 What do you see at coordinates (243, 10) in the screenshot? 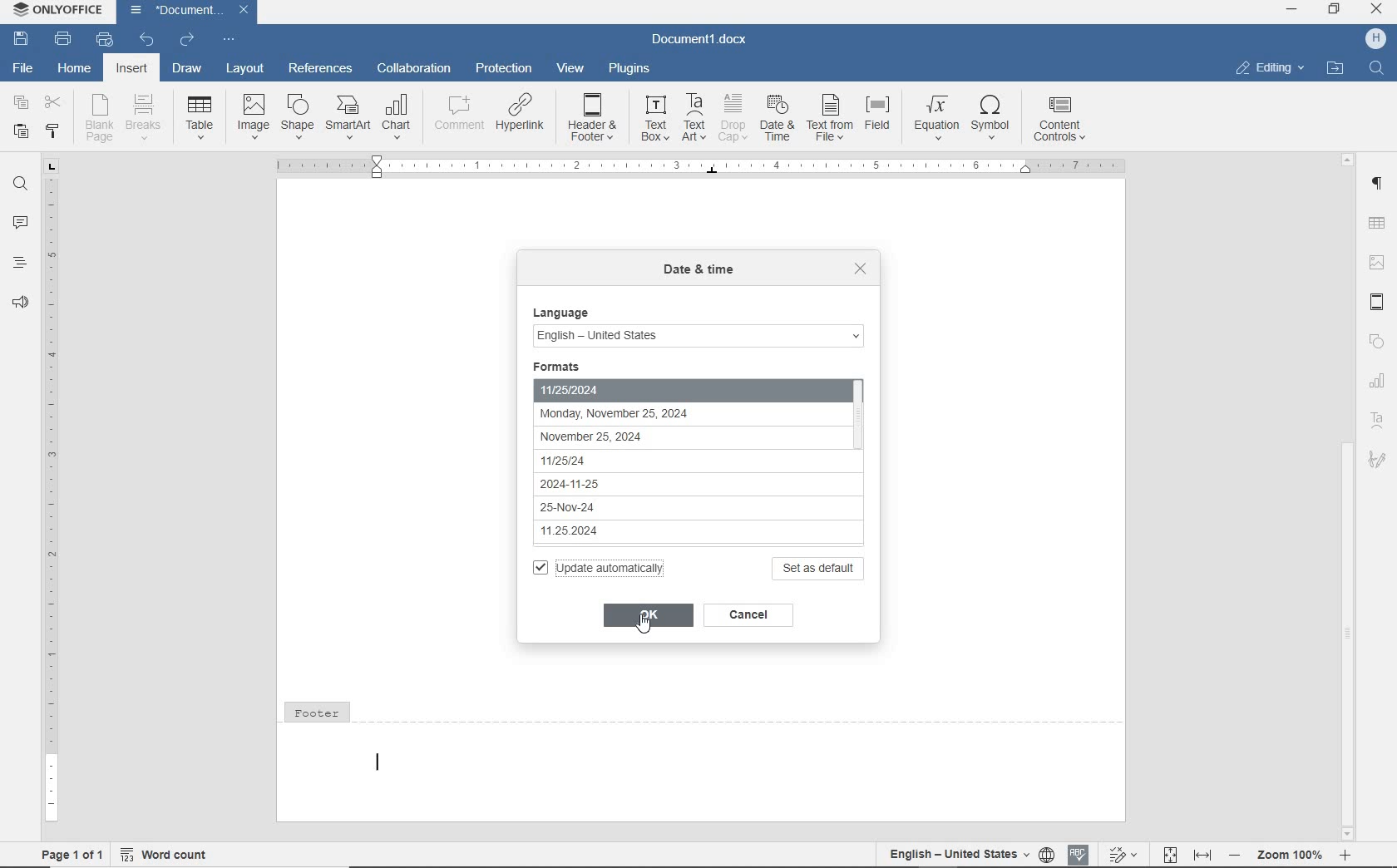
I see `Close` at bounding box center [243, 10].